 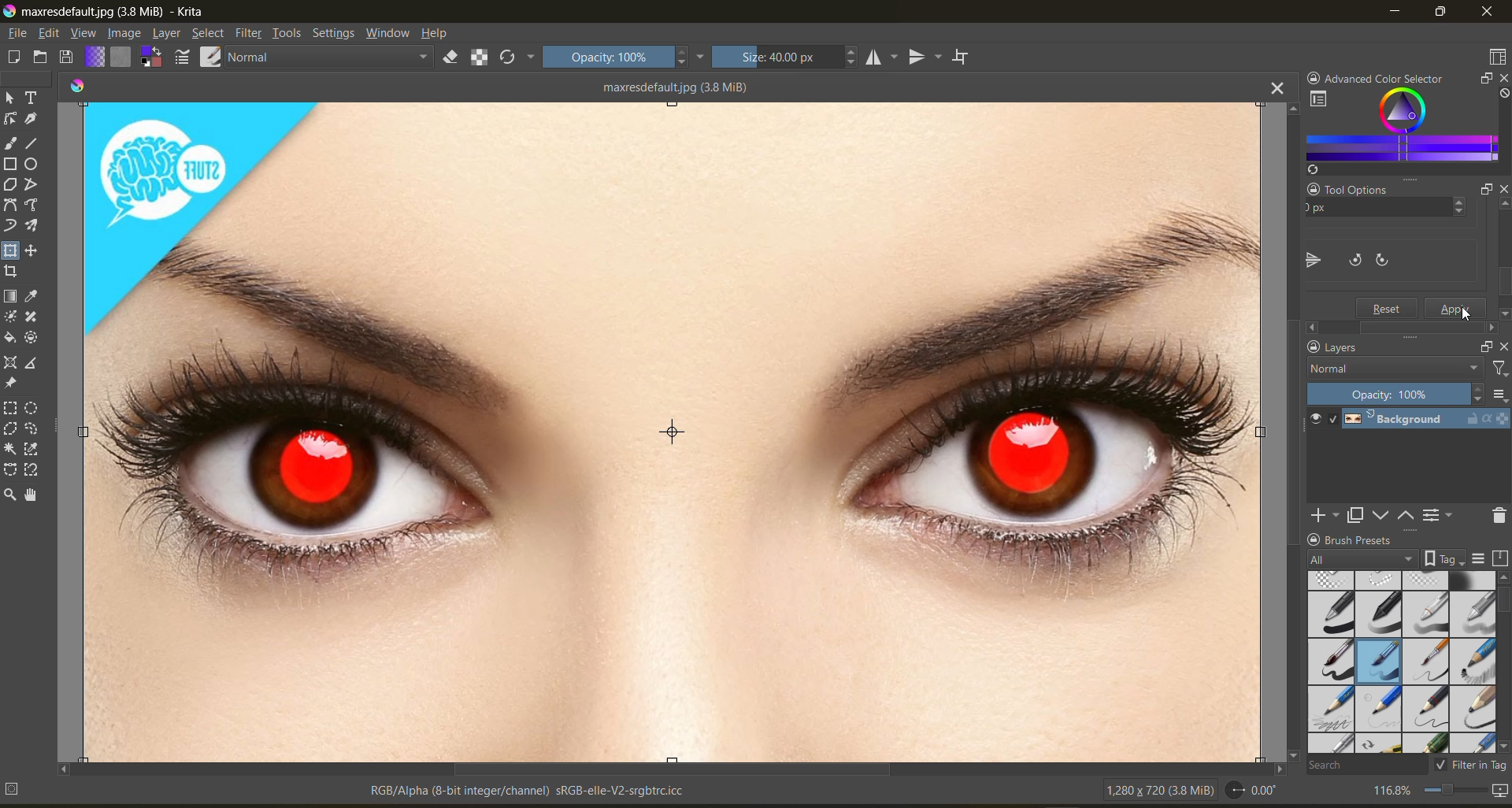 I want to click on tool, so click(x=10, y=144).